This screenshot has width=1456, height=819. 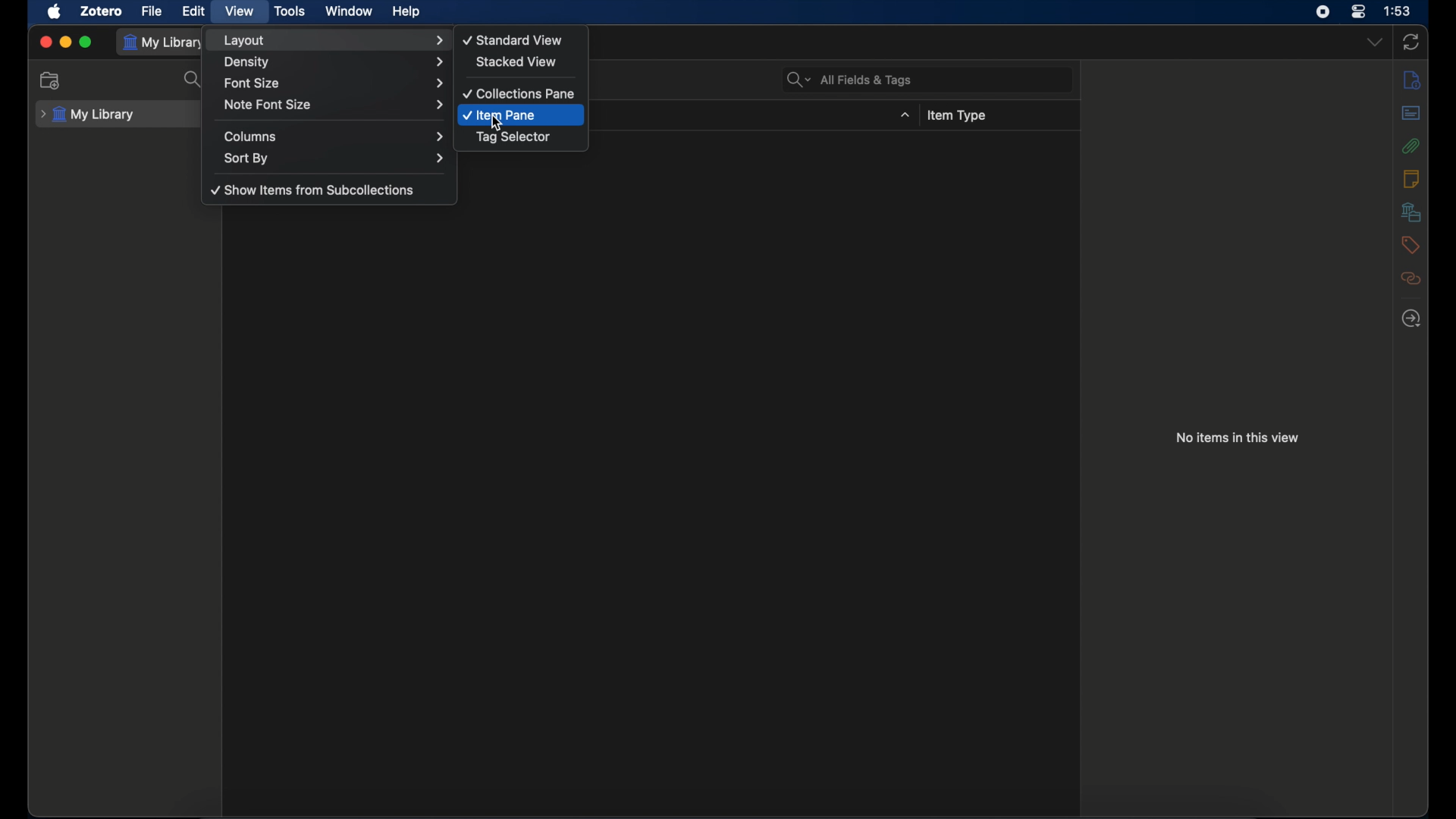 I want to click on libraries, so click(x=1411, y=212).